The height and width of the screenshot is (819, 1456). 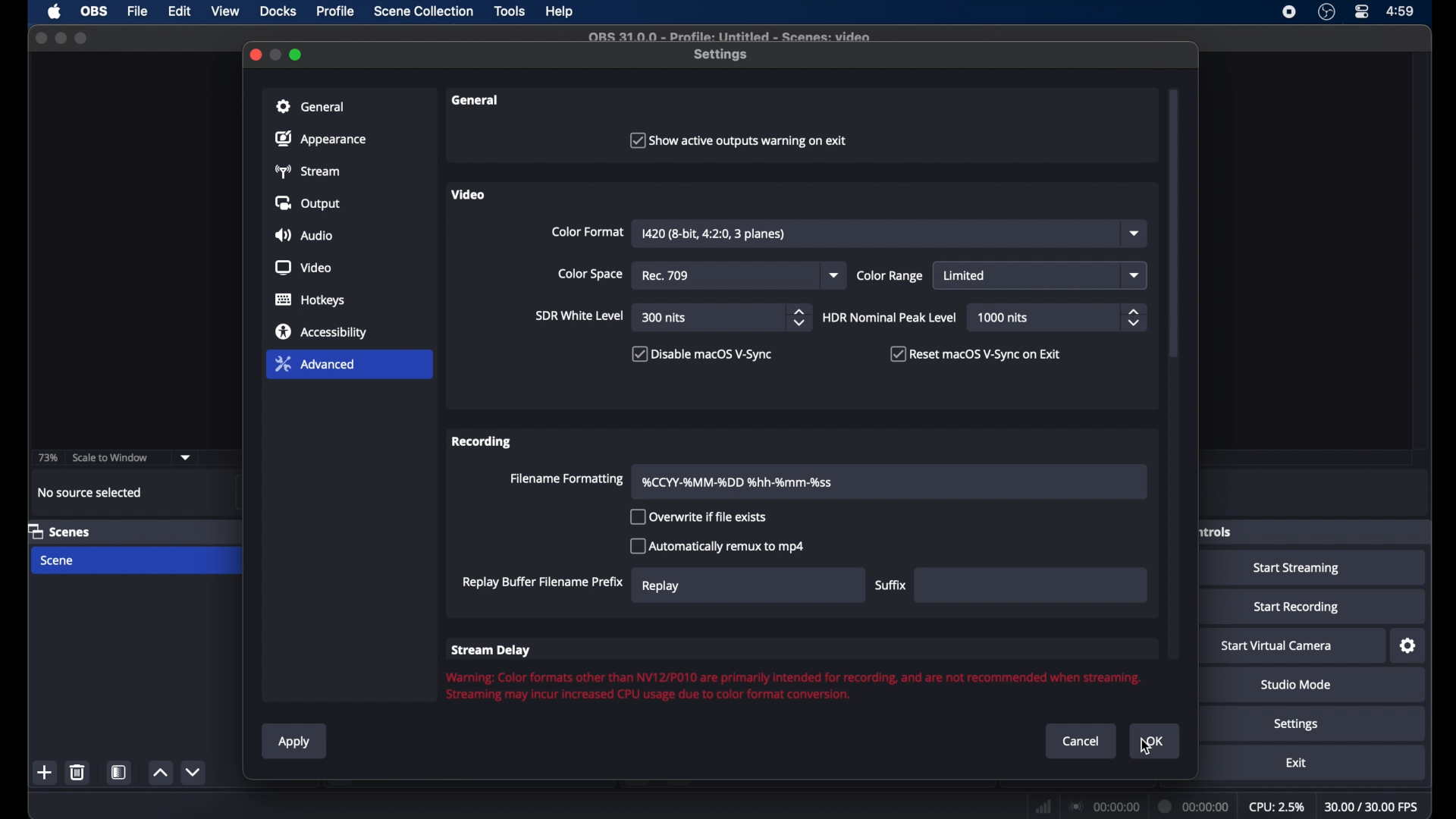 I want to click on minimize, so click(x=277, y=54).